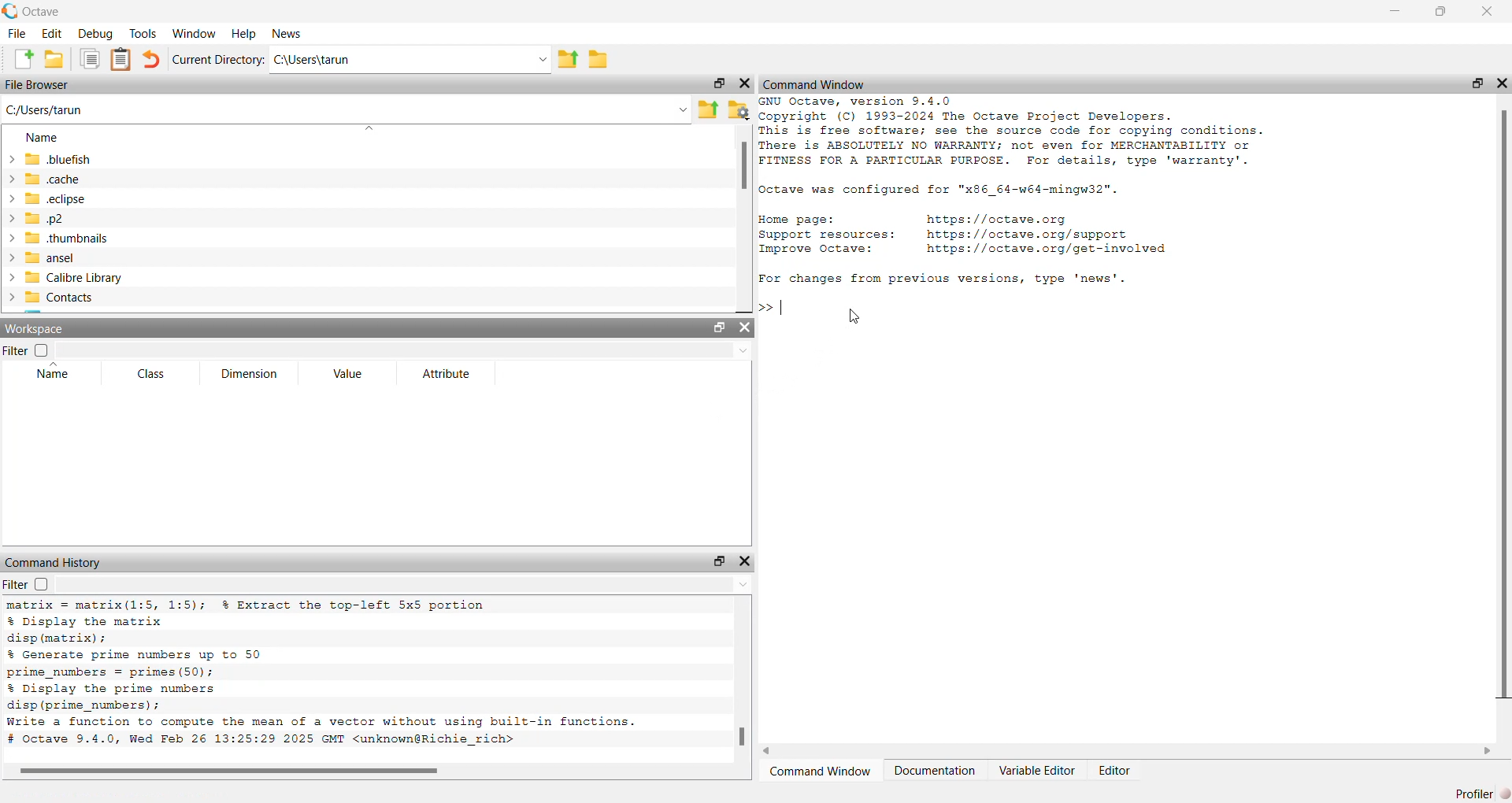  What do you see at coordinates (55, 371) in the screenshot?
I see `name` at bounding box center [55, 371].